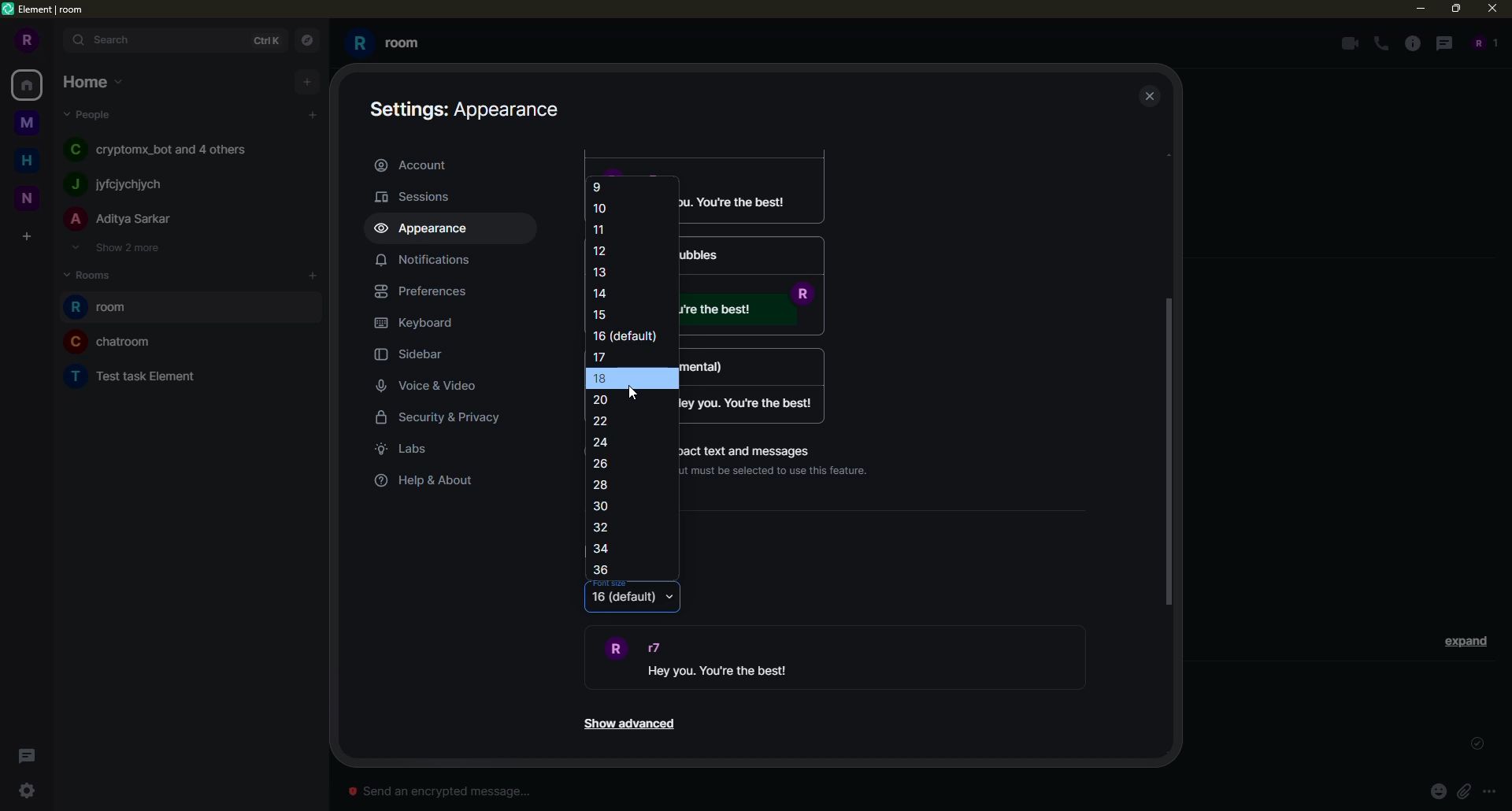 The image size is (1512, 811). Describe the element at coordinates (418, 323) in the screenshot. I see `keyboard` at that location.